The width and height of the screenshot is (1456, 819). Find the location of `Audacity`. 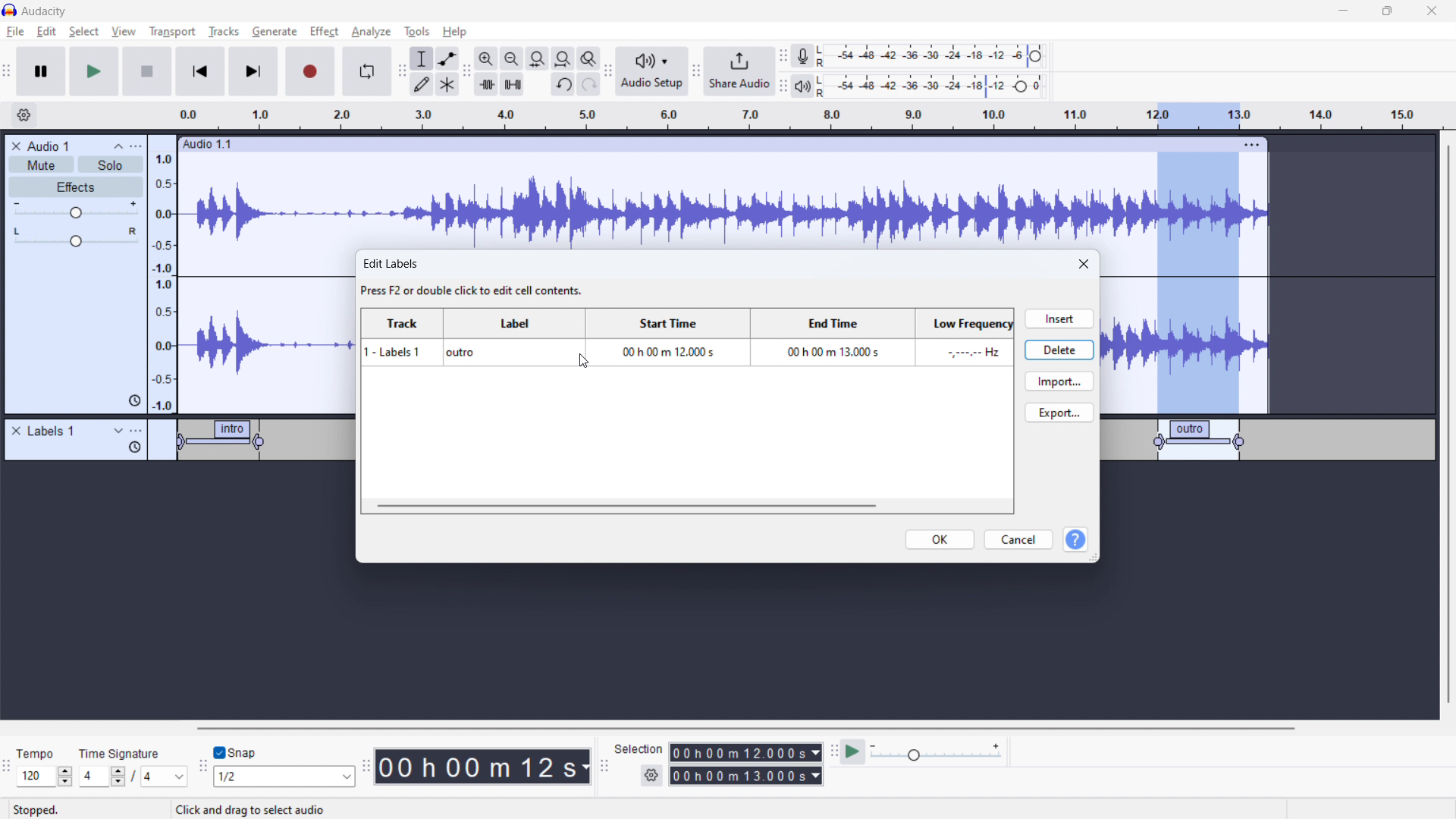

Audacity is located at coordinates (47, 11).